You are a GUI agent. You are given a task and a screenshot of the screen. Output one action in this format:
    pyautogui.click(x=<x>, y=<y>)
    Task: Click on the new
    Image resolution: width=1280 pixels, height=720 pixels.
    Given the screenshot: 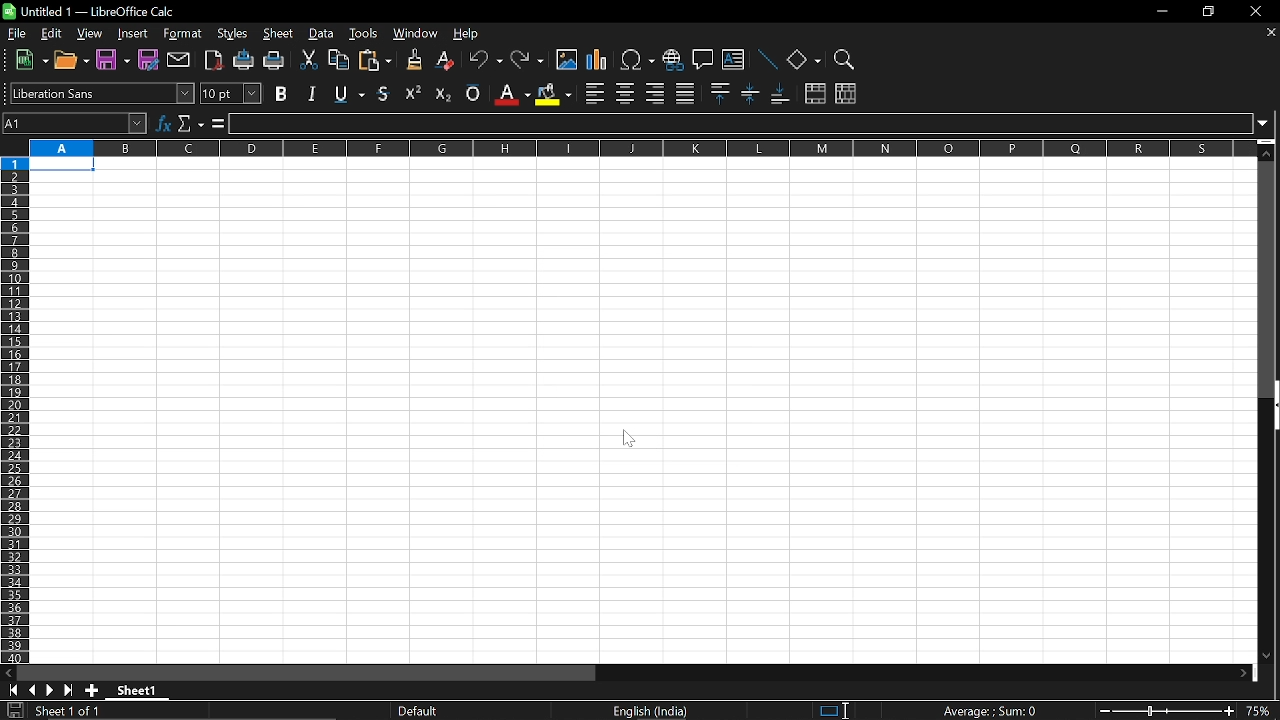 What is the action you would take?
    pyautogui.click(x=32, y=61)
    